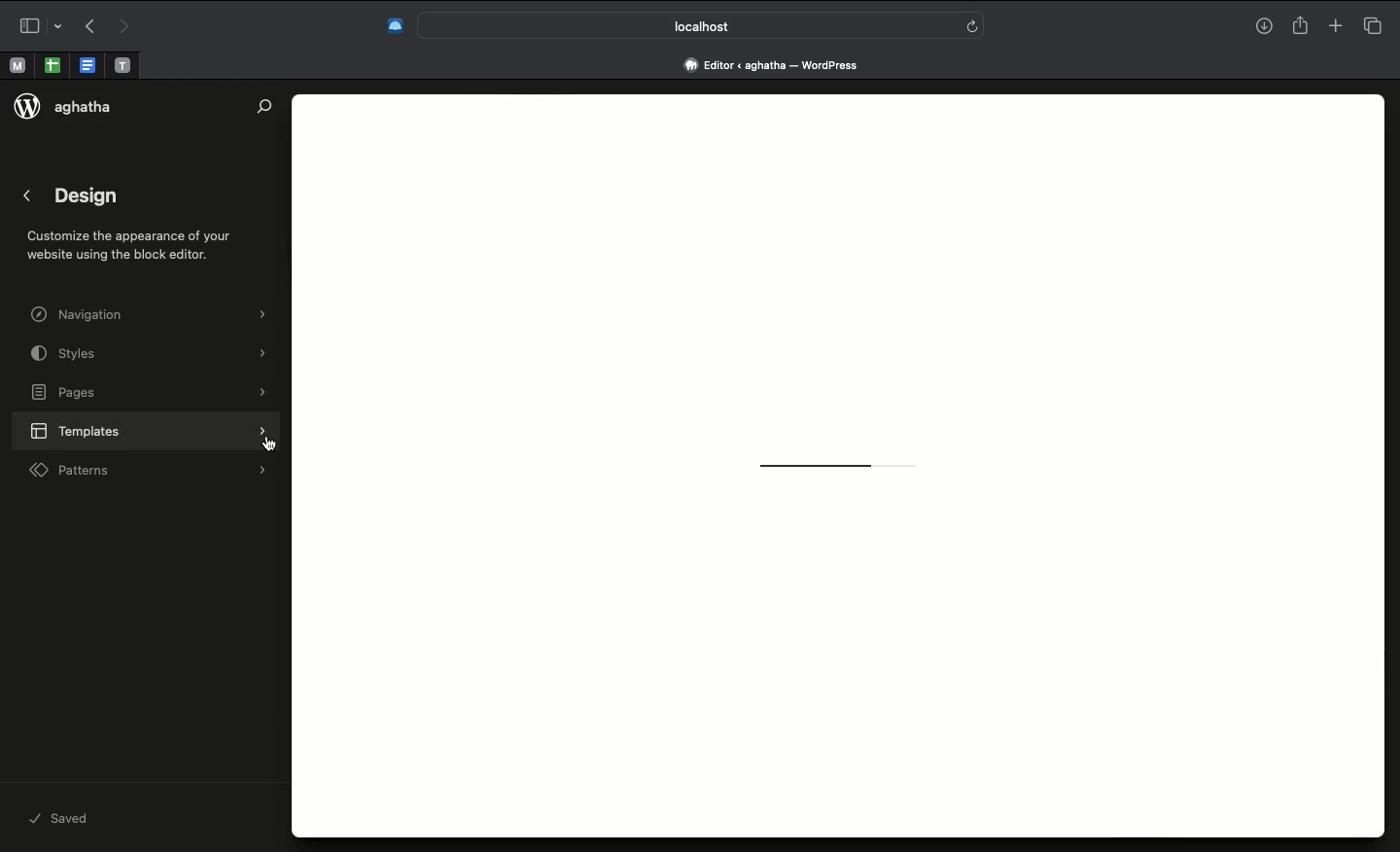  Describe the element at coordinates (704, 25) in the screenshot. I see `Search bar` at that location.